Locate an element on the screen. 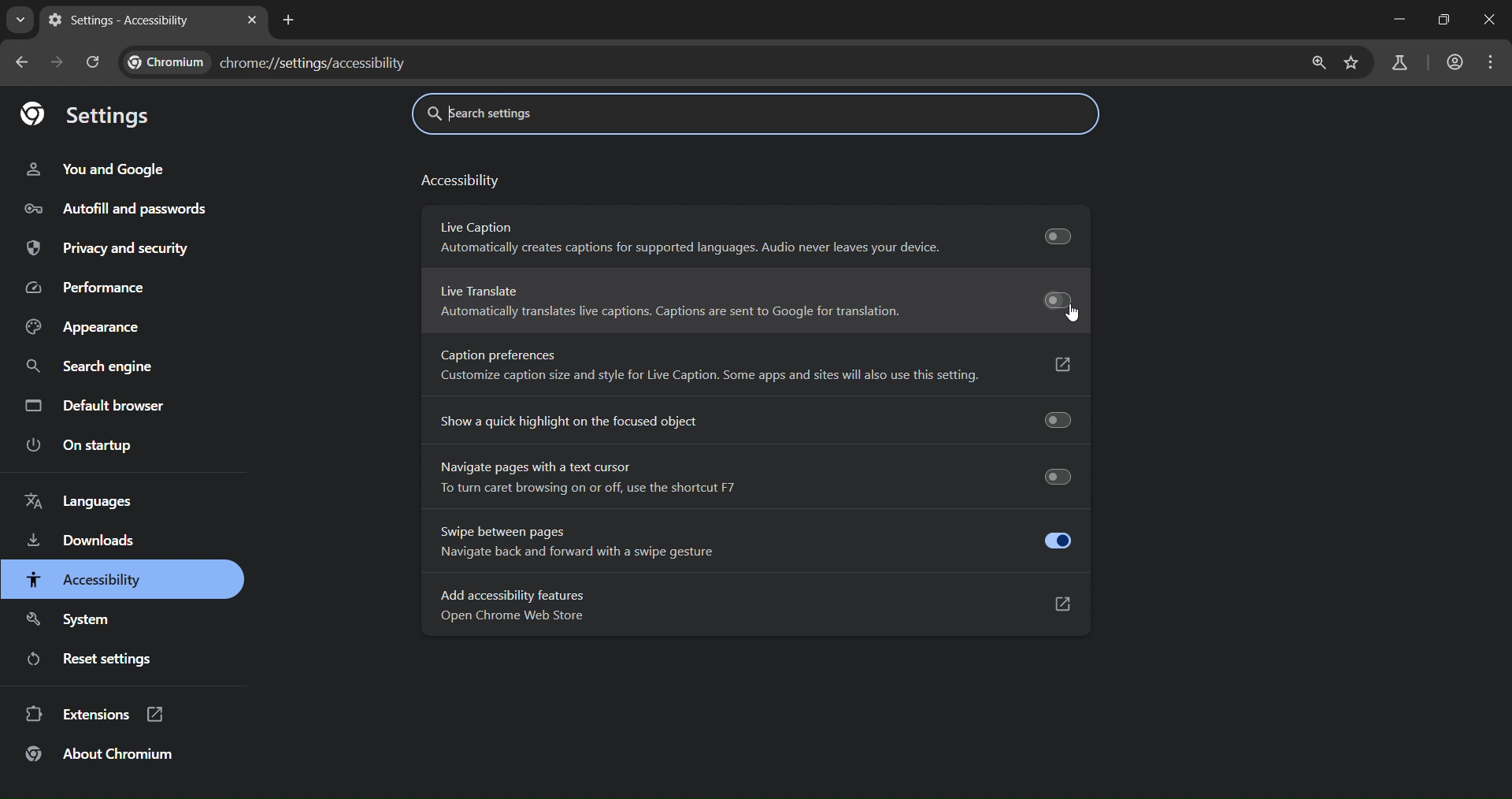 Image resolution: width=1512 pixels, height=799 pixels. search tabs is located at coordinates (17, 22).